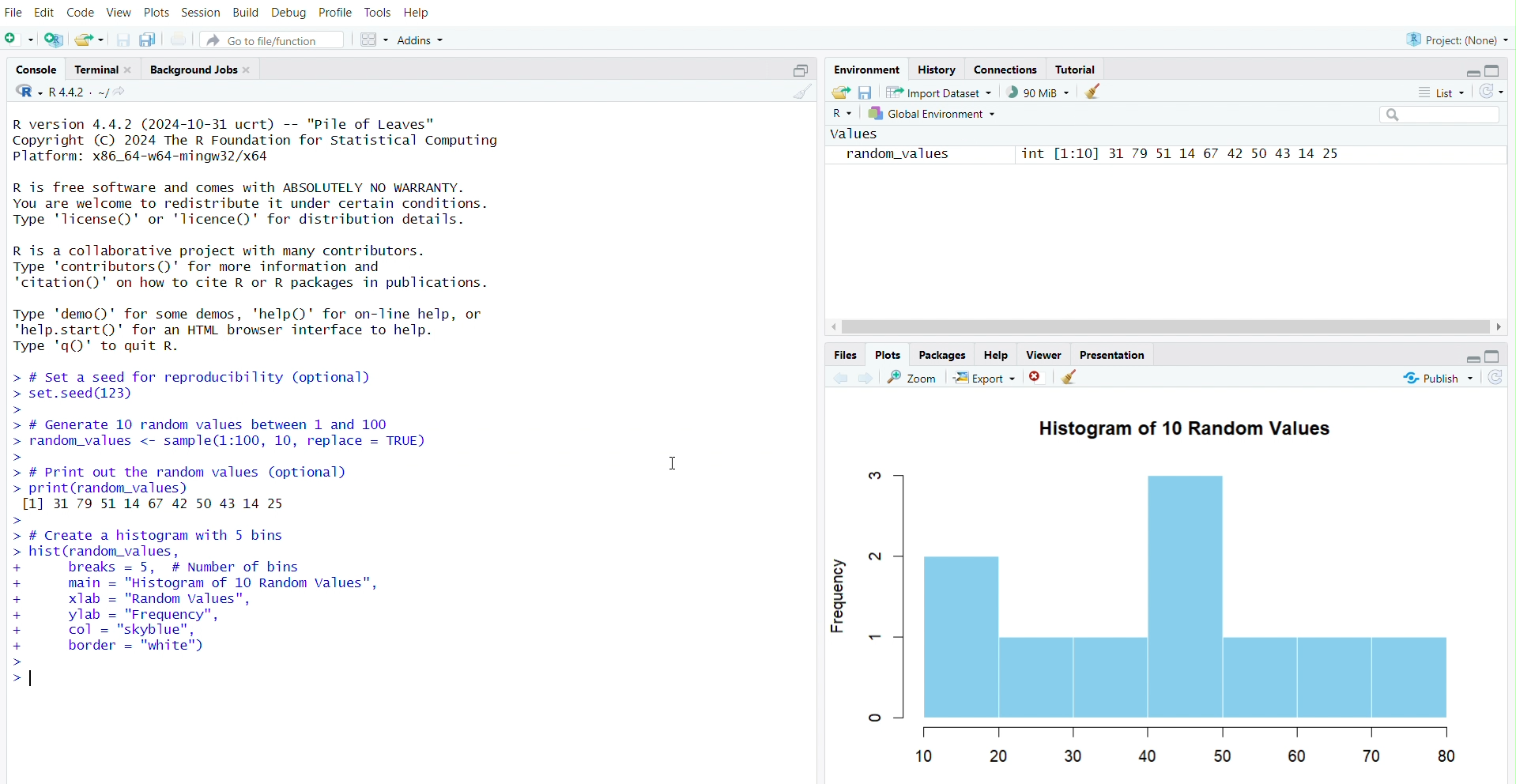 The image size is (1516, 784). I want to click on frequency, so click(841, 594).